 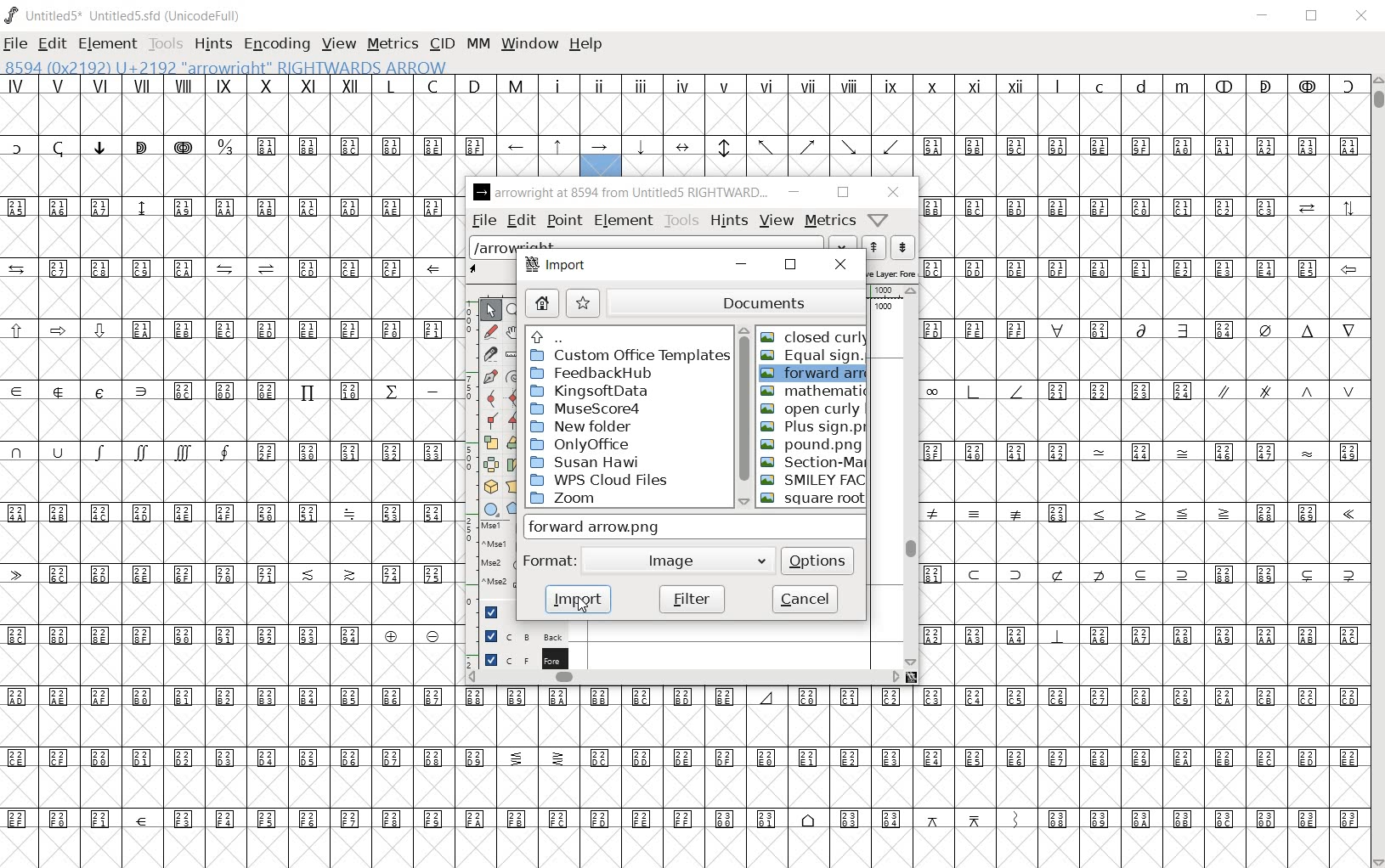 I want to click on scrollbar, so click(x=684, y=680).